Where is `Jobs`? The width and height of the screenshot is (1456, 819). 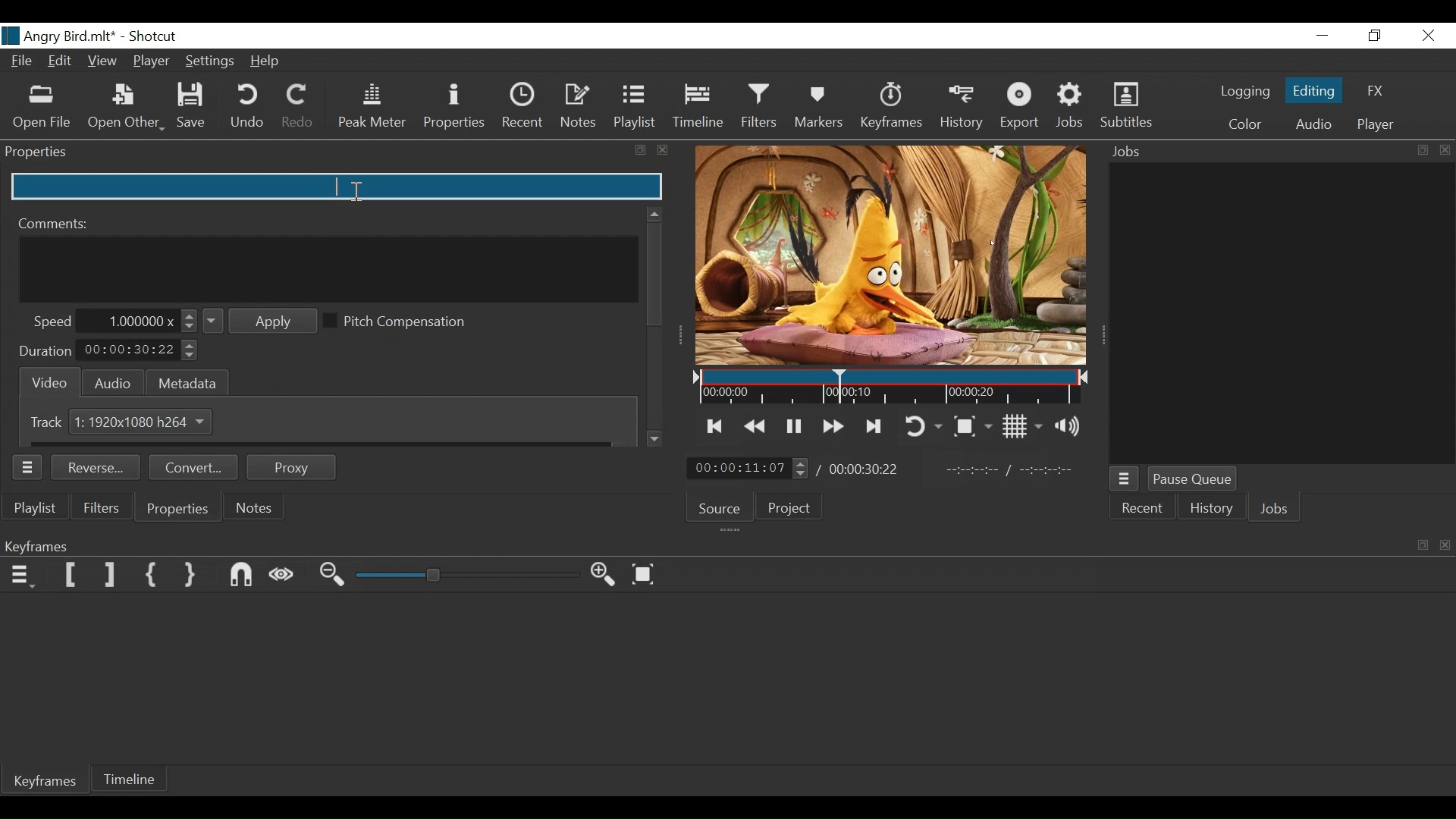 Jobs is located at coordinates (1276, 508).